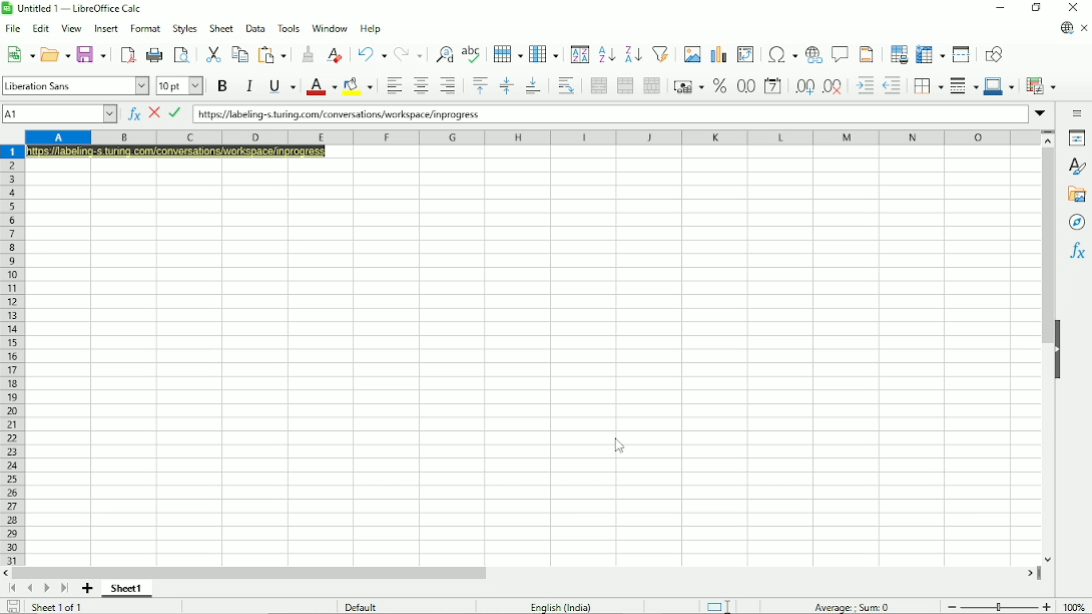 The width and height of the screenshot is (1092, 614). What do you see at coordinates (421, 86) in the screenshot?
I see `Align center` at bounding box center [421, 86].